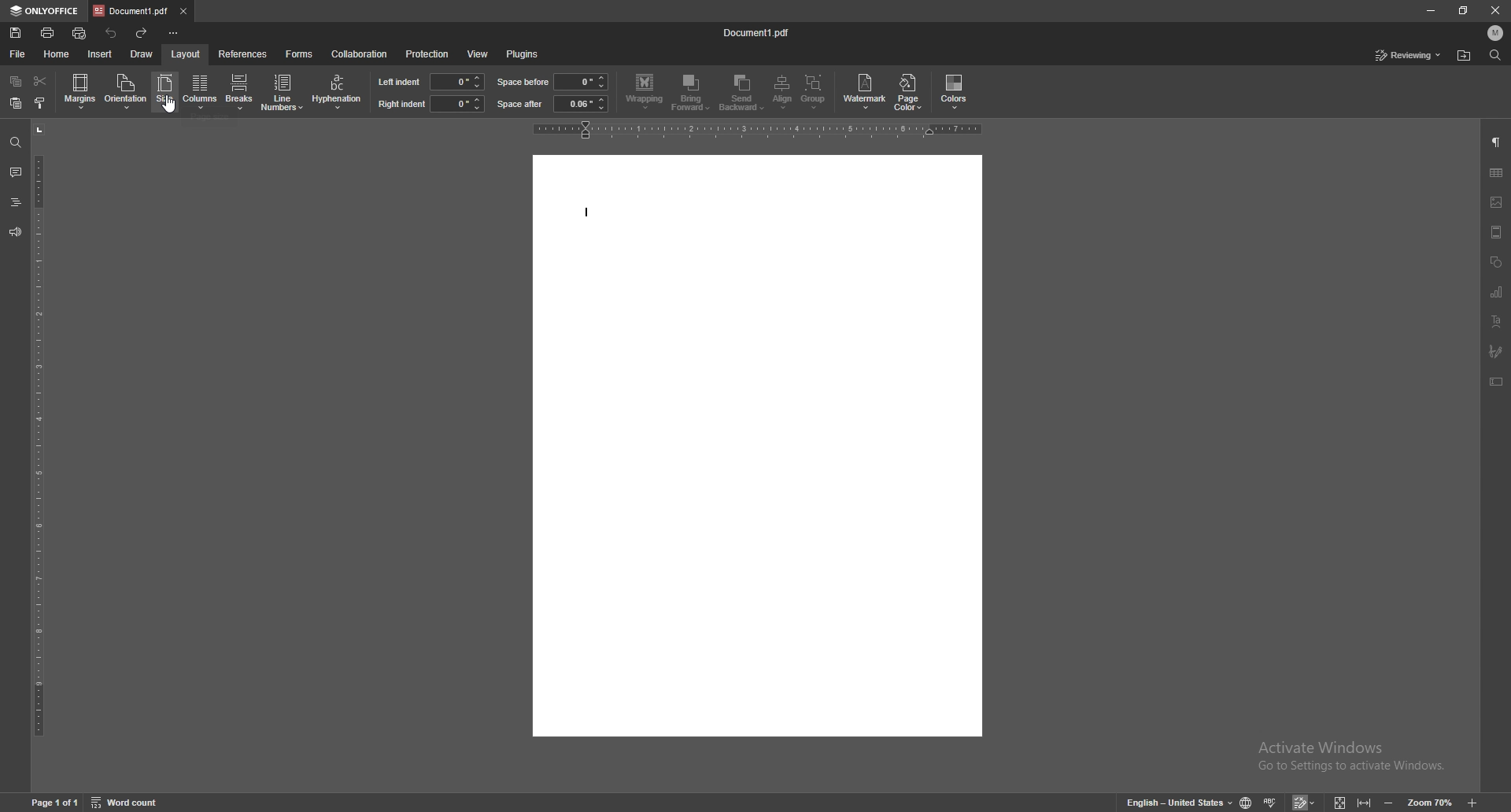 Image resolution: width=1511 pixels, height=812 pixels. I want to click on Page 1 of 1, so click(51, 803).